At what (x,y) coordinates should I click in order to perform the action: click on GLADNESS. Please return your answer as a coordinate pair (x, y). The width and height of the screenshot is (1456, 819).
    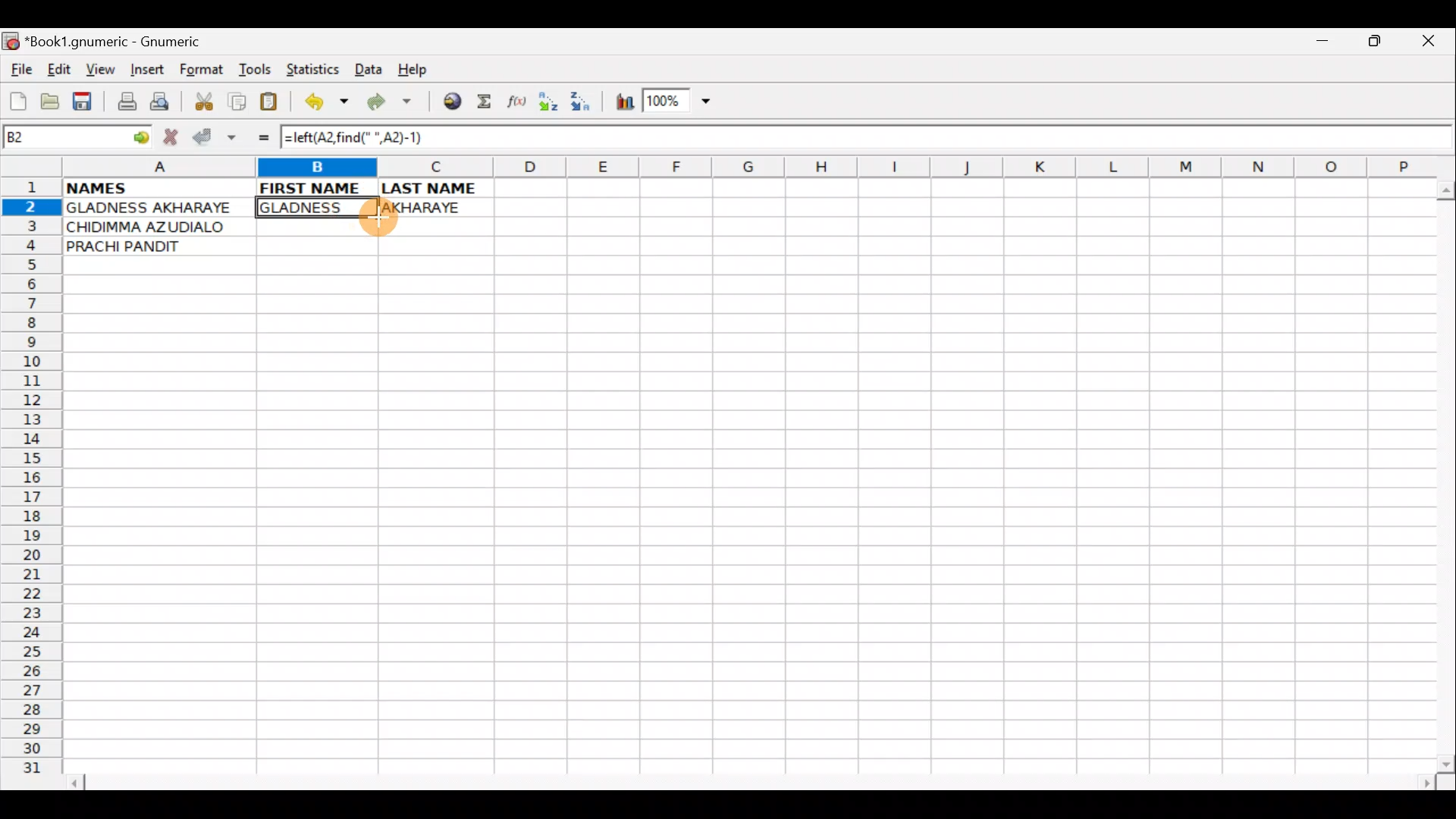
    Looking at the image, I should click on (313, 208).